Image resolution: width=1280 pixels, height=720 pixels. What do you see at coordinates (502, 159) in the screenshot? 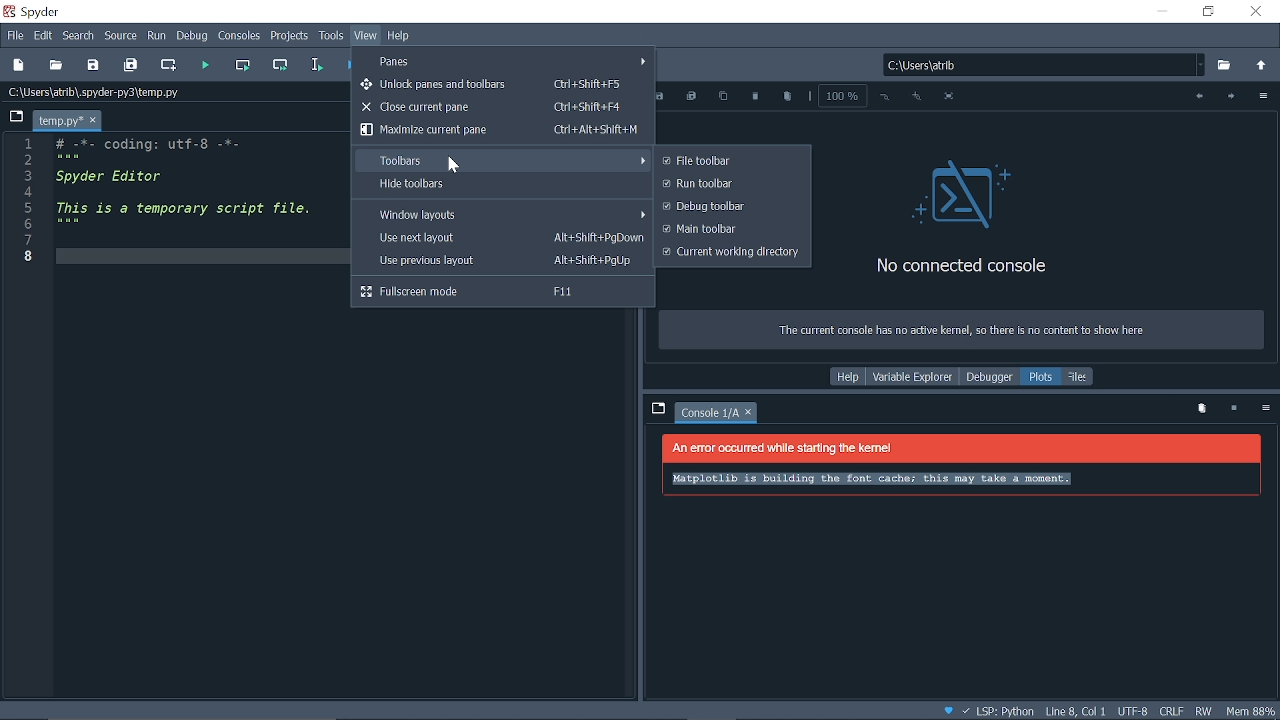
I see `Toolbars` at bounding box center [502, 159].